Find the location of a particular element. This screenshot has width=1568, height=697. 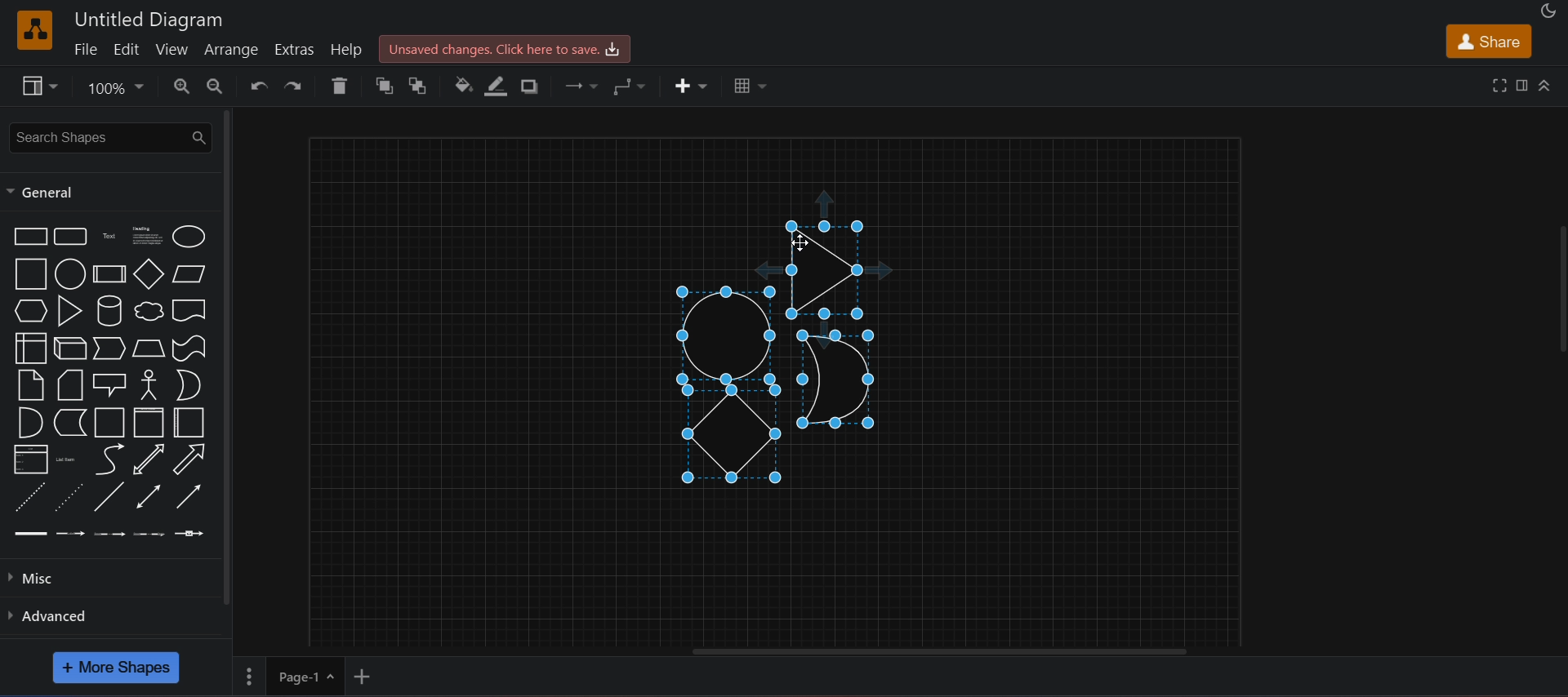

arrow is located at coordinates (189, 458).